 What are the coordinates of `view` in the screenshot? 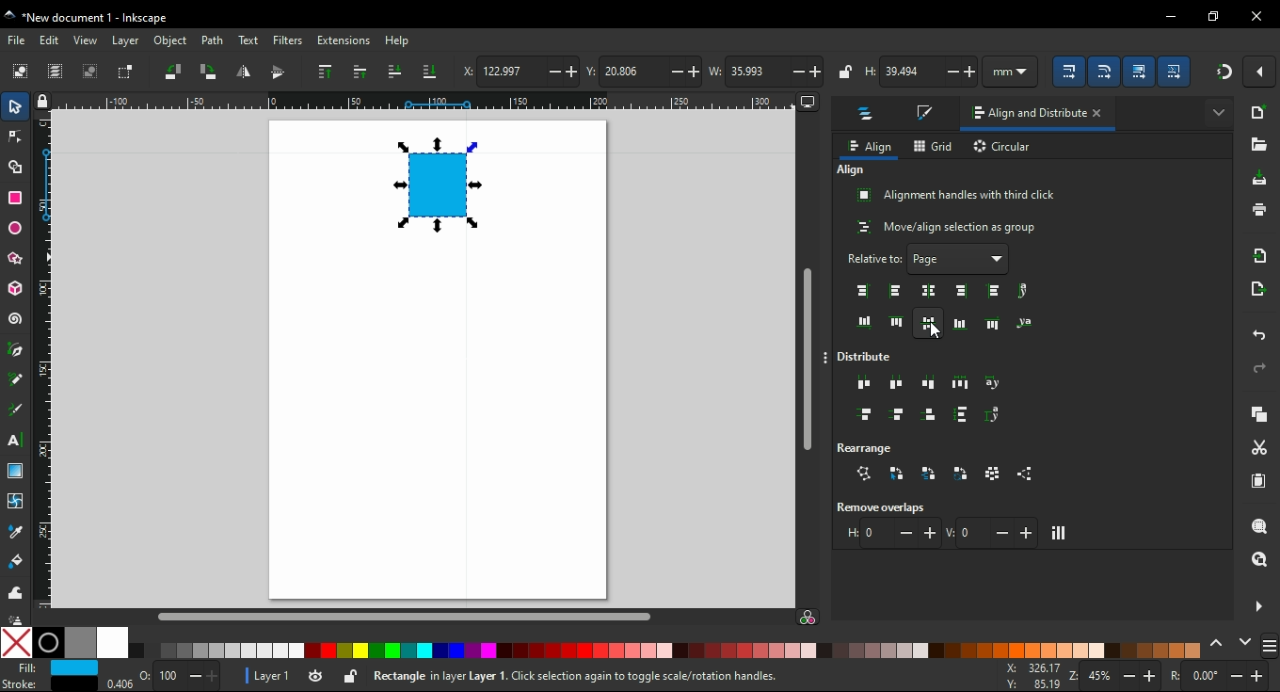 It's located at (86, 40).